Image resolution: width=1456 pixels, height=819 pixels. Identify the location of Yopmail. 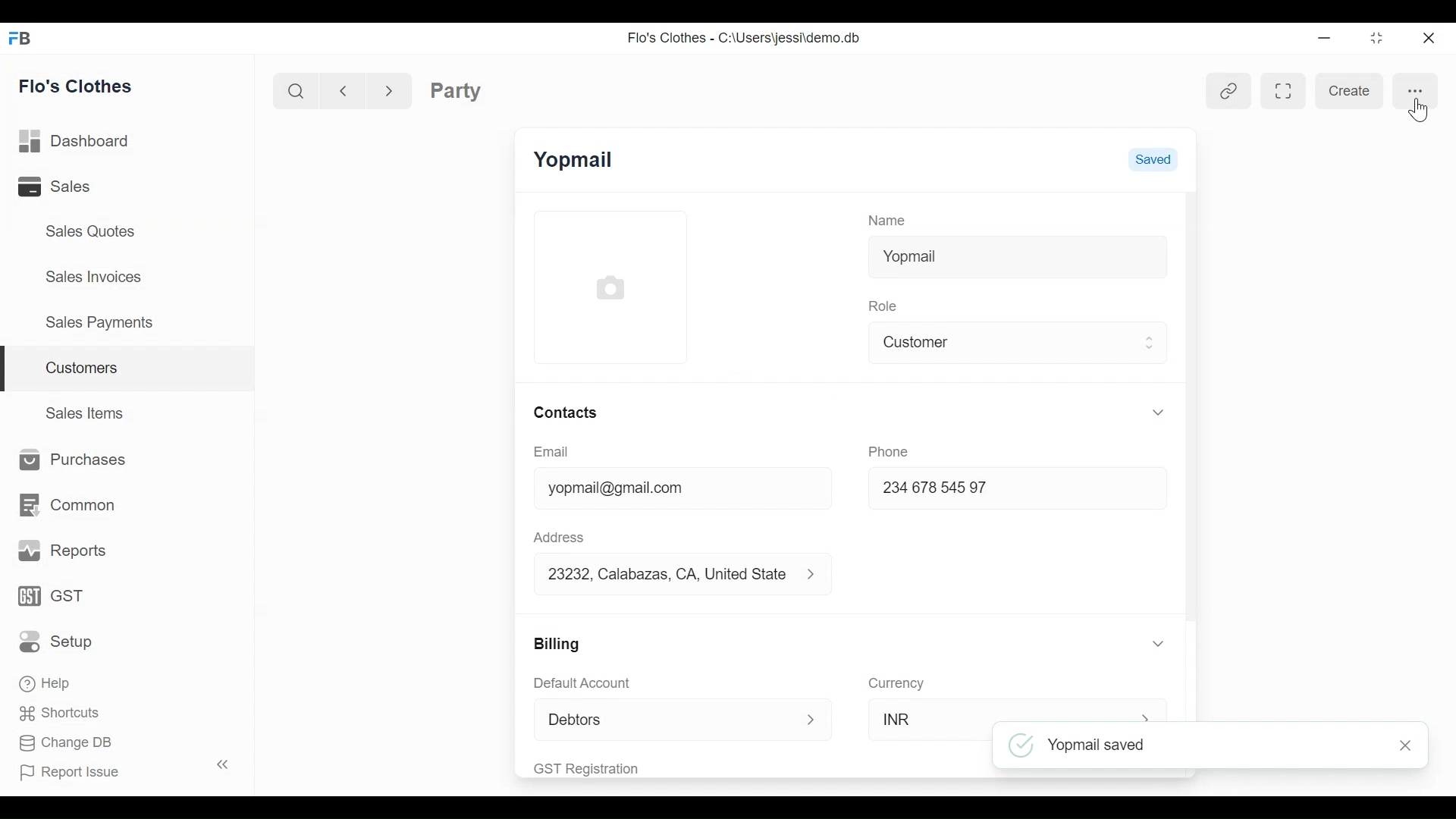
(1019, 257).